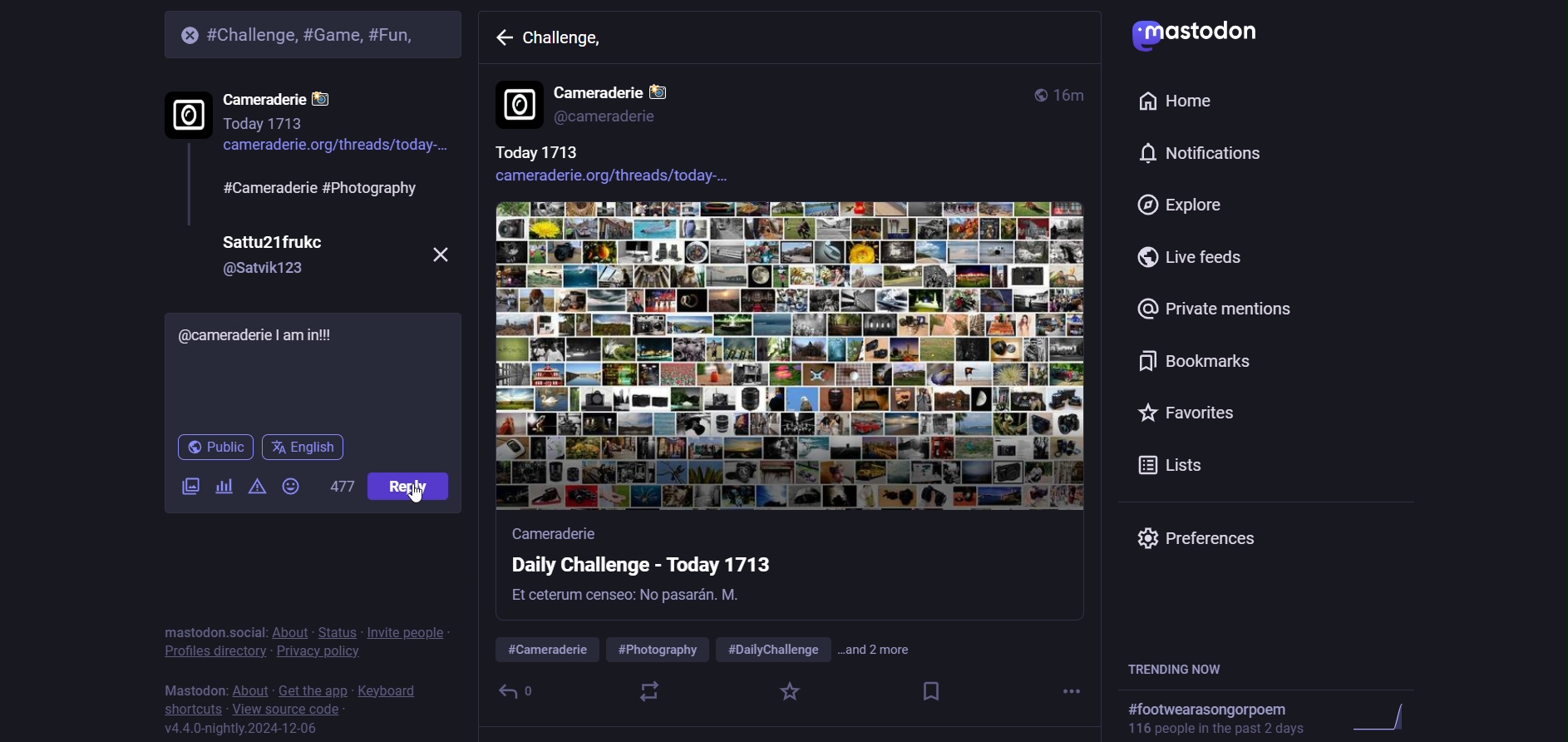  What do you see at coordinates (323, 32) in the screenshot?
I see `#Challenge, #Game, #Fun,` at bounding box center [323, 32].